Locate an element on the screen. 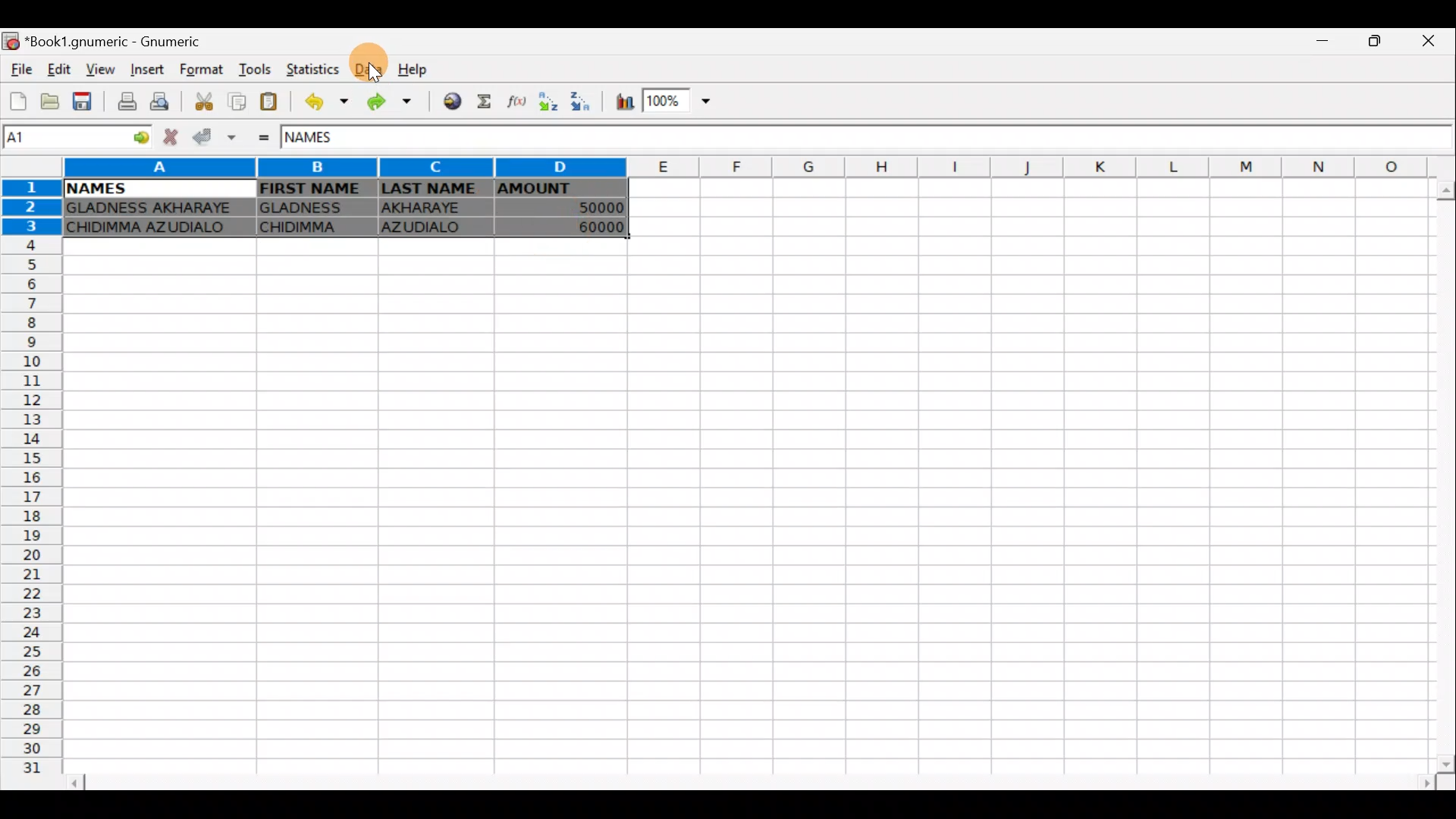 This screenshot has height=819, width=1456. 60000 is located at coordinates (586, 226).